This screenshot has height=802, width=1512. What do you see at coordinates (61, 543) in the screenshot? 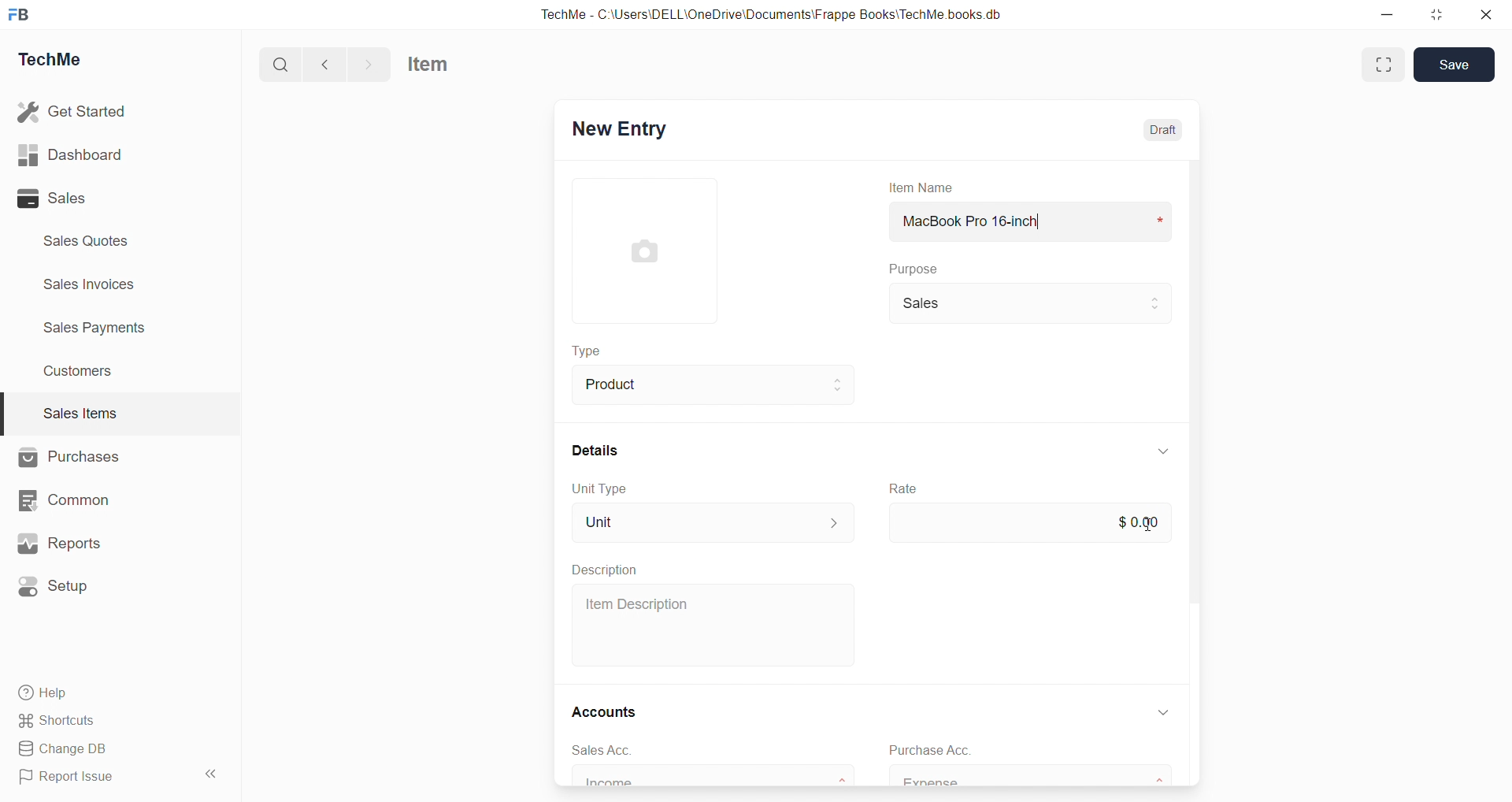
I see `Reports` at bounding box center [61, 543].